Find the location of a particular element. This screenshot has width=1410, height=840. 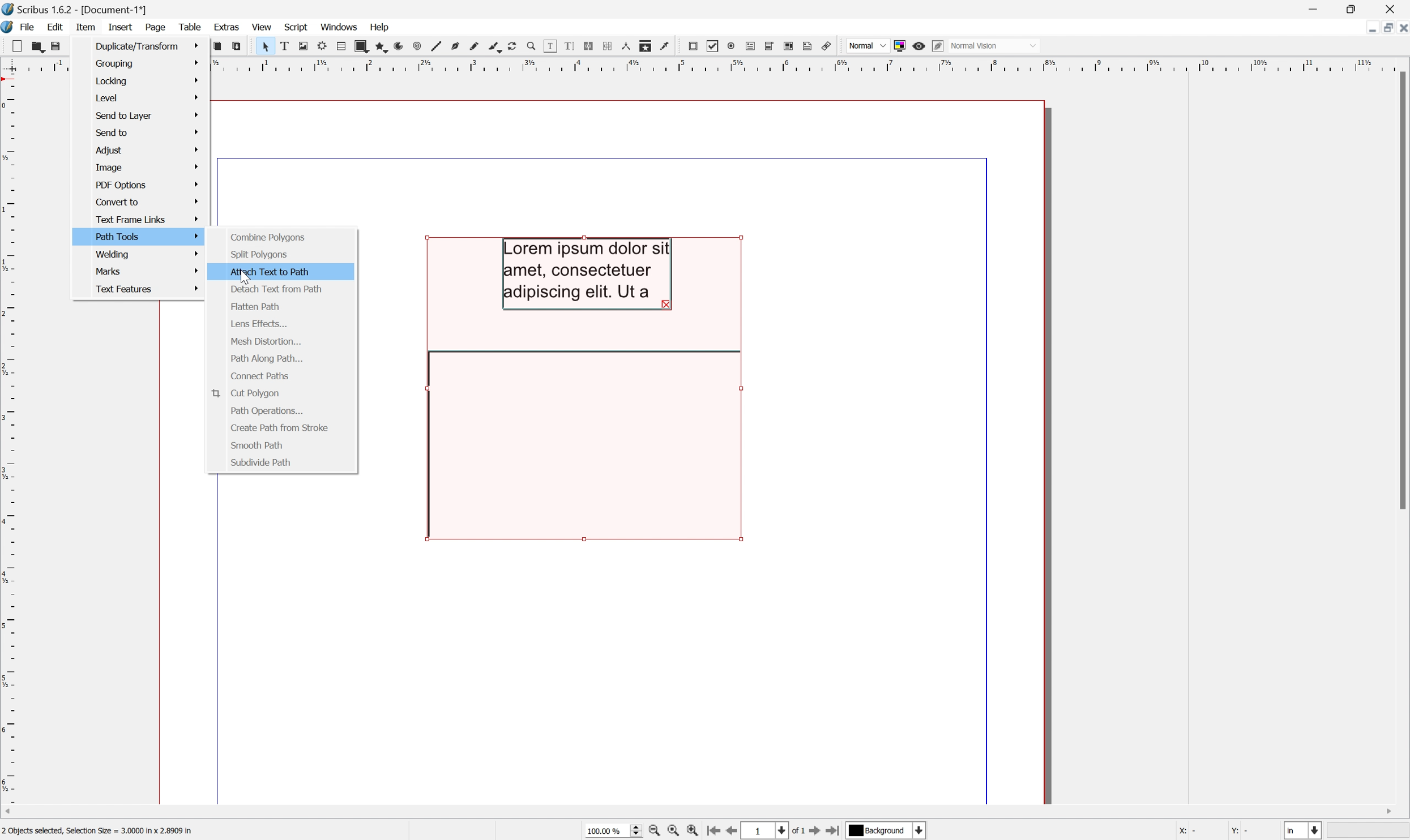

PDF list box is located at coordinates (789, 46).